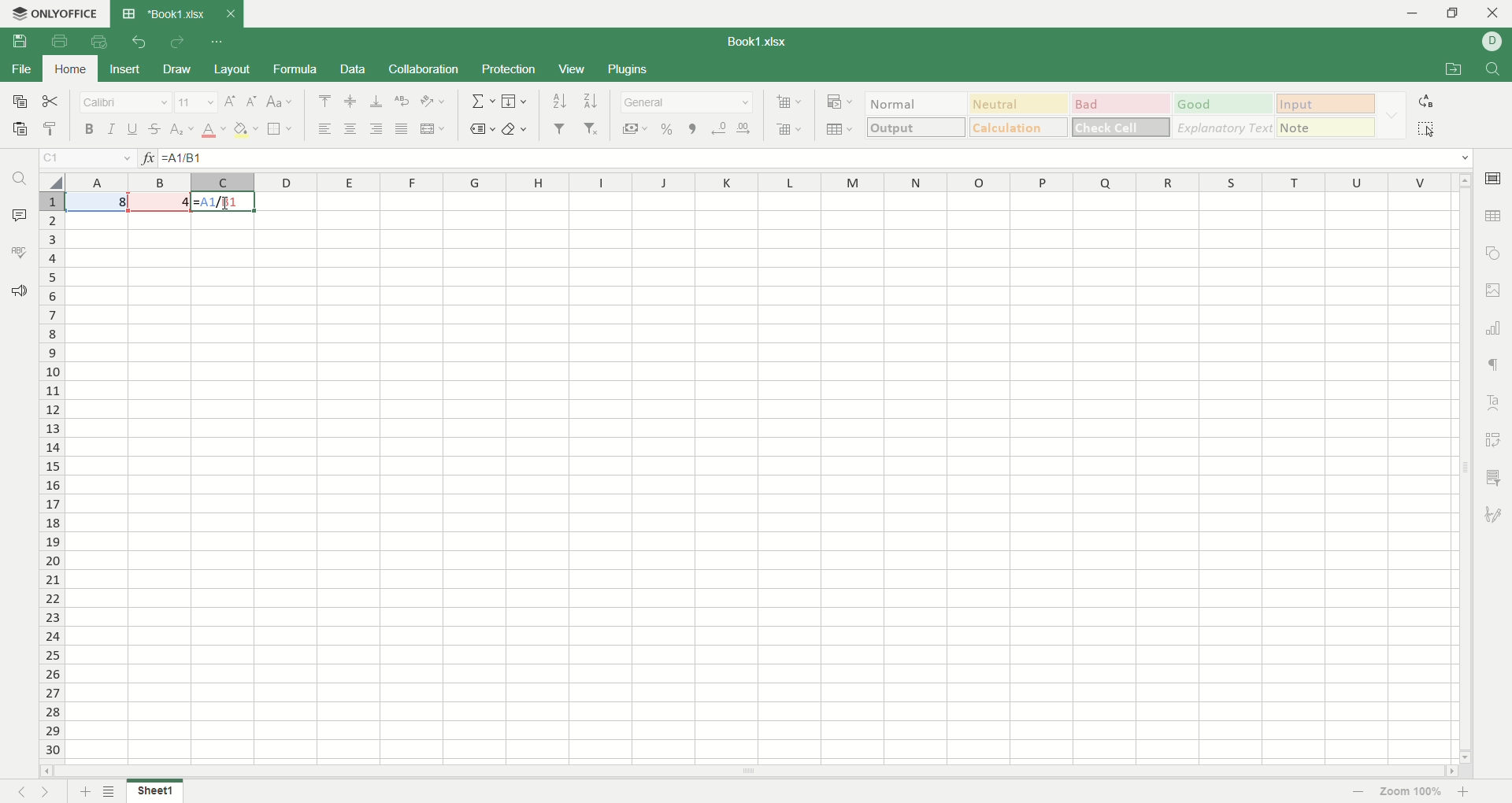  What do you see at coordinates (51, 183) in the screenshot?
I see `select all` at bounding box center [51, 183].